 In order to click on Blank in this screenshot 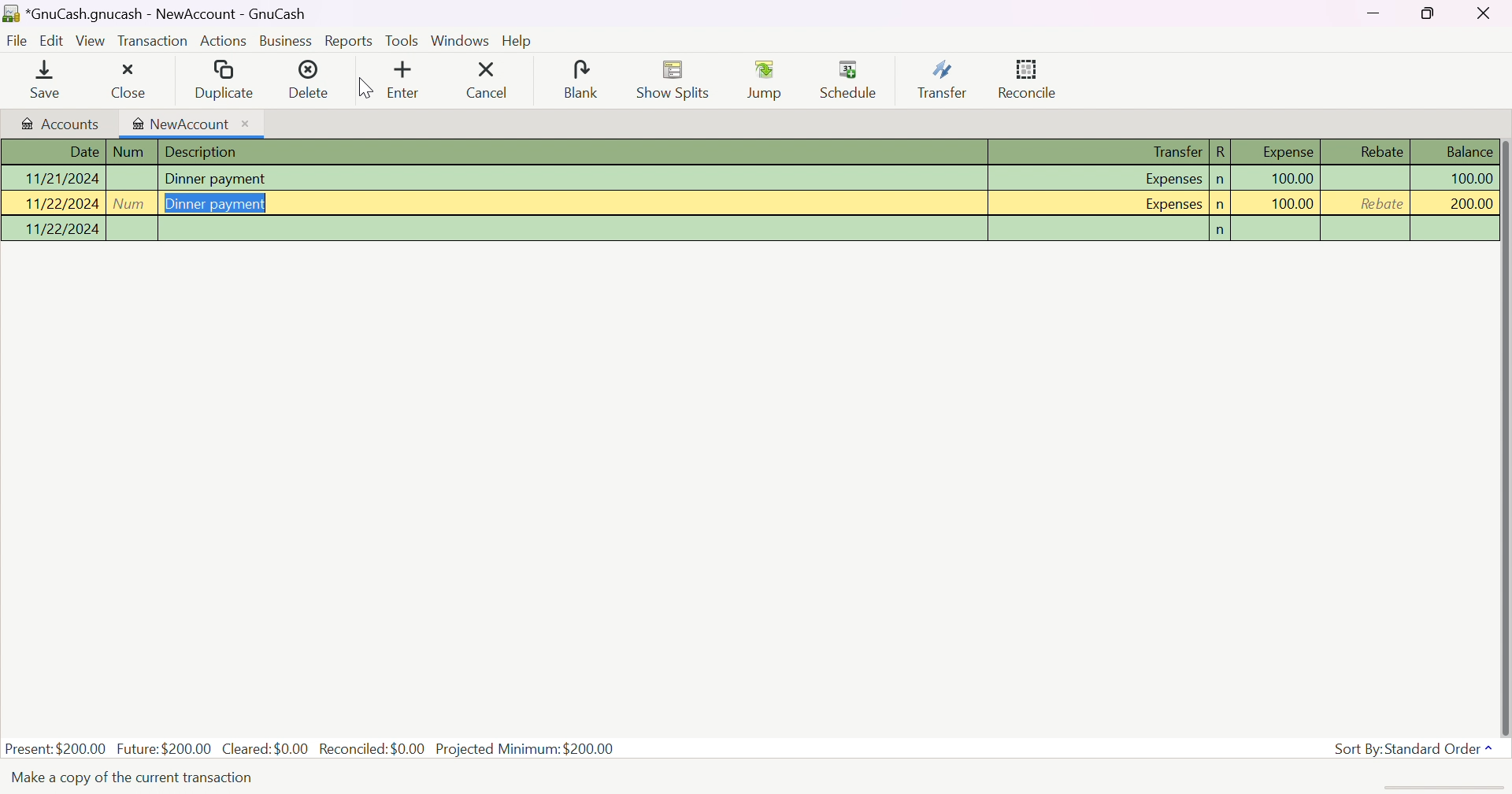, I will do `click(578, 78)`.